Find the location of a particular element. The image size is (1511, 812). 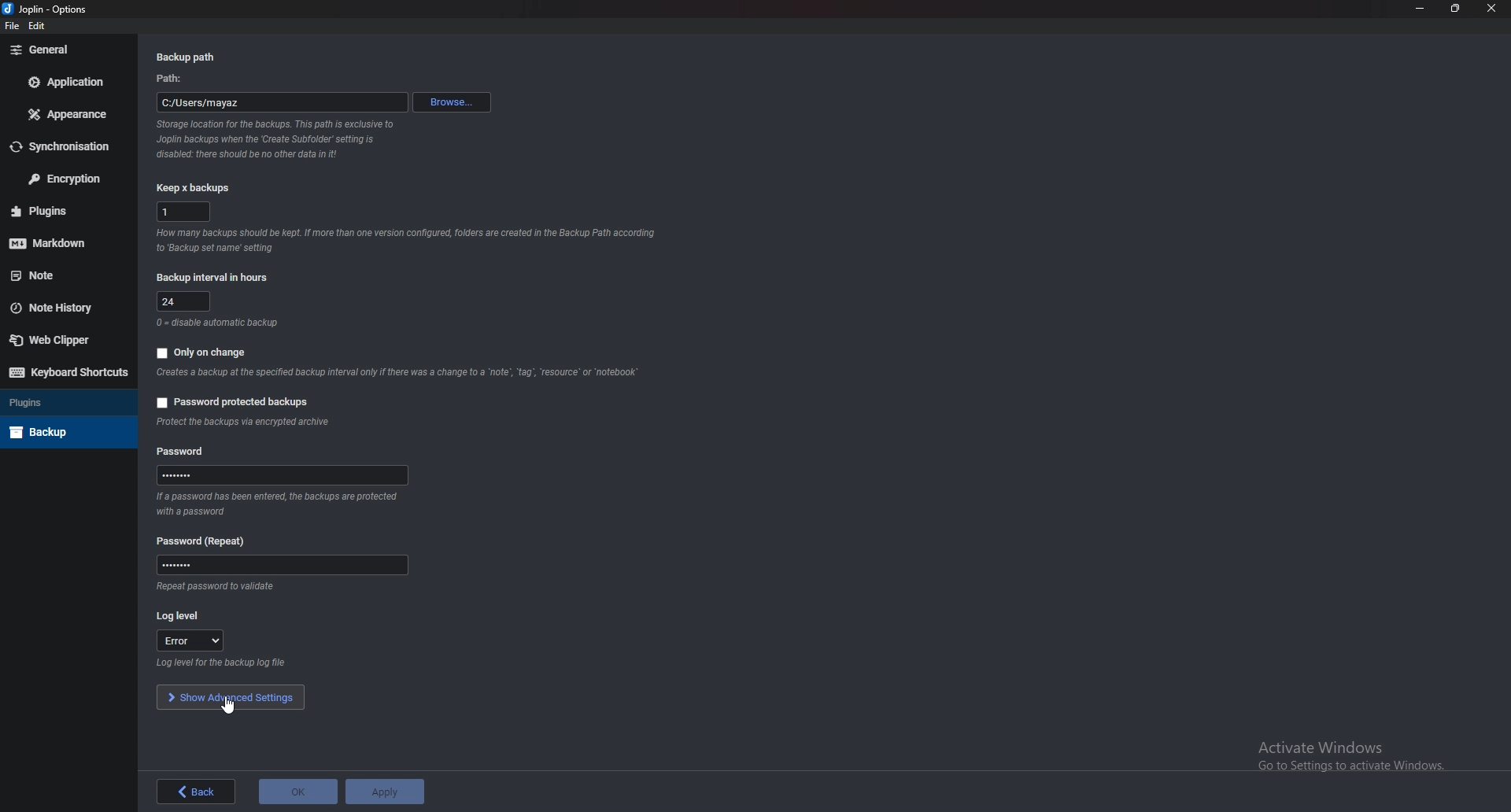

Log level is located at coordinates (186, 617).